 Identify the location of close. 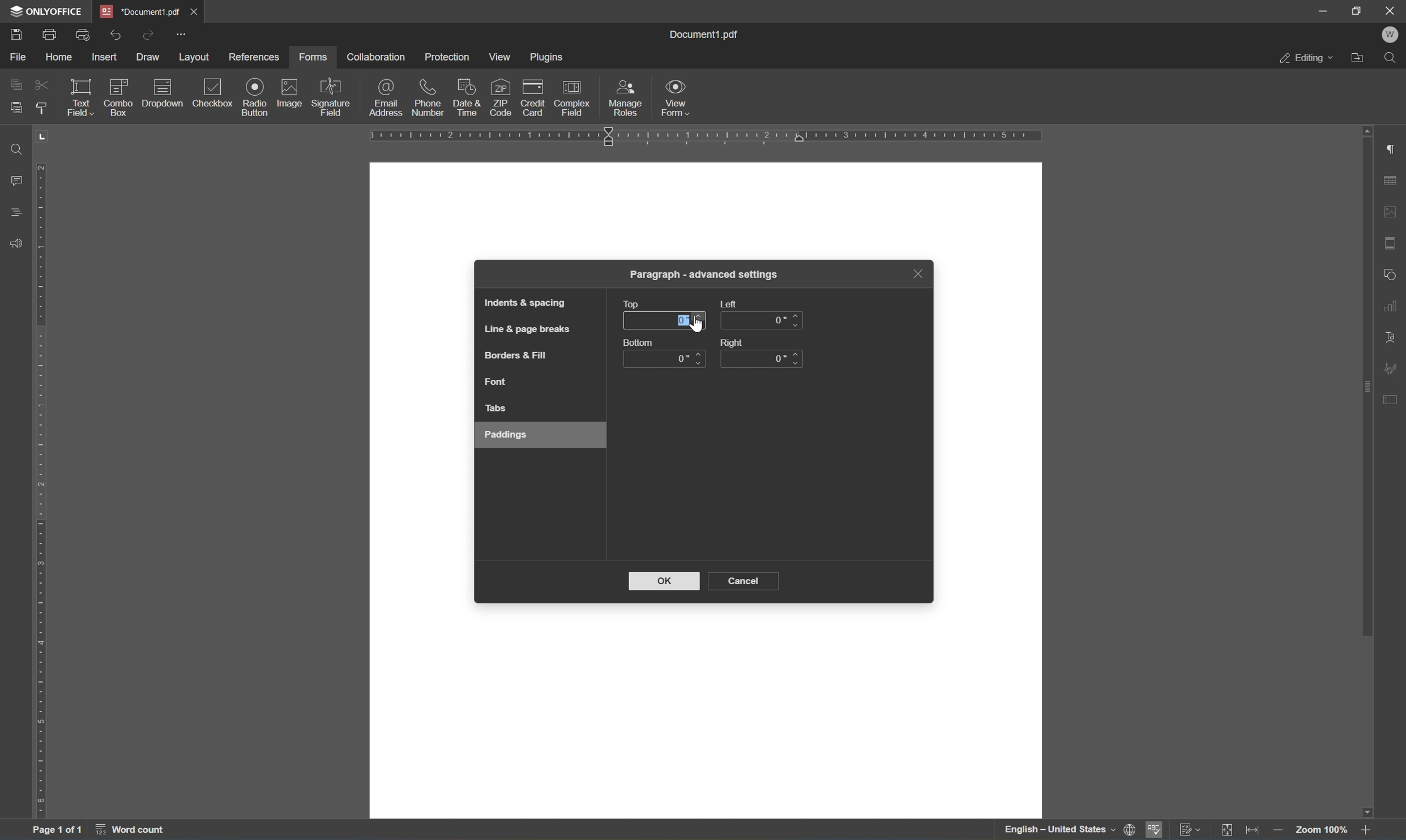
(1391, 10).